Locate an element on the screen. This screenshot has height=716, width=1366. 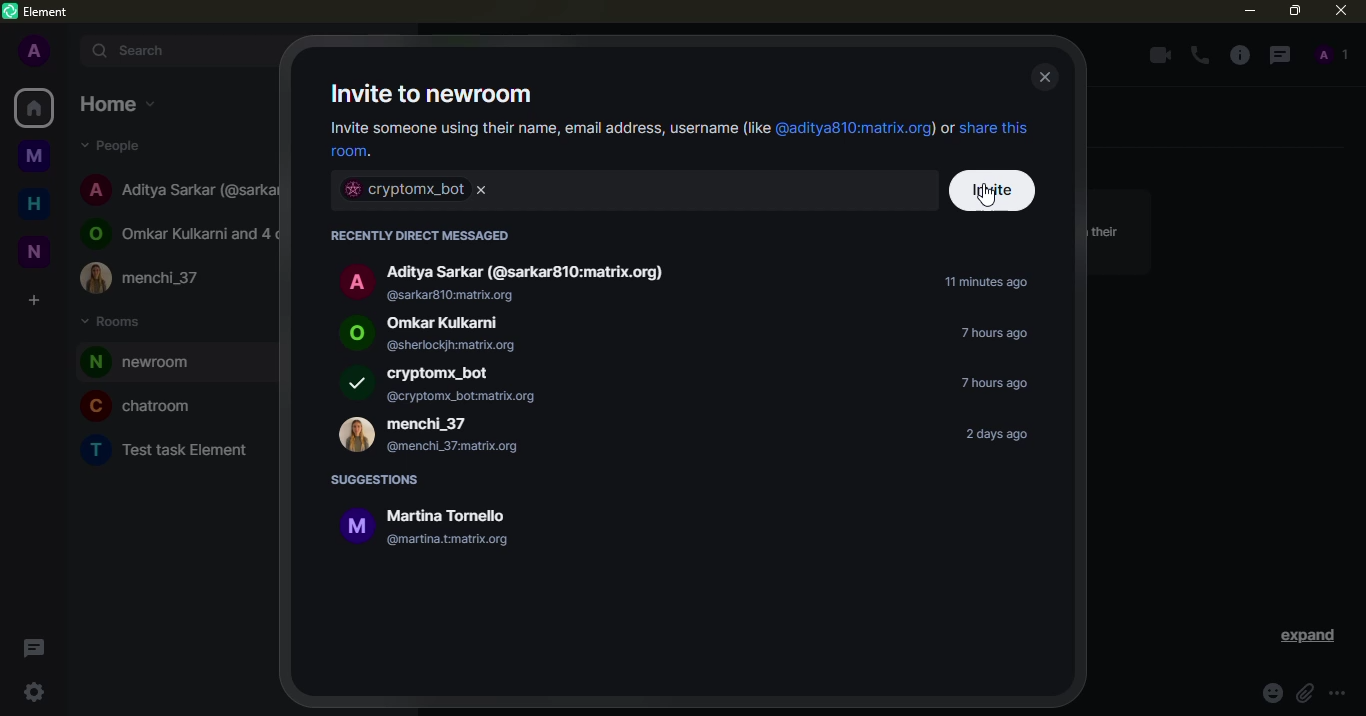
bot selected is located at coordinates (405, 188).